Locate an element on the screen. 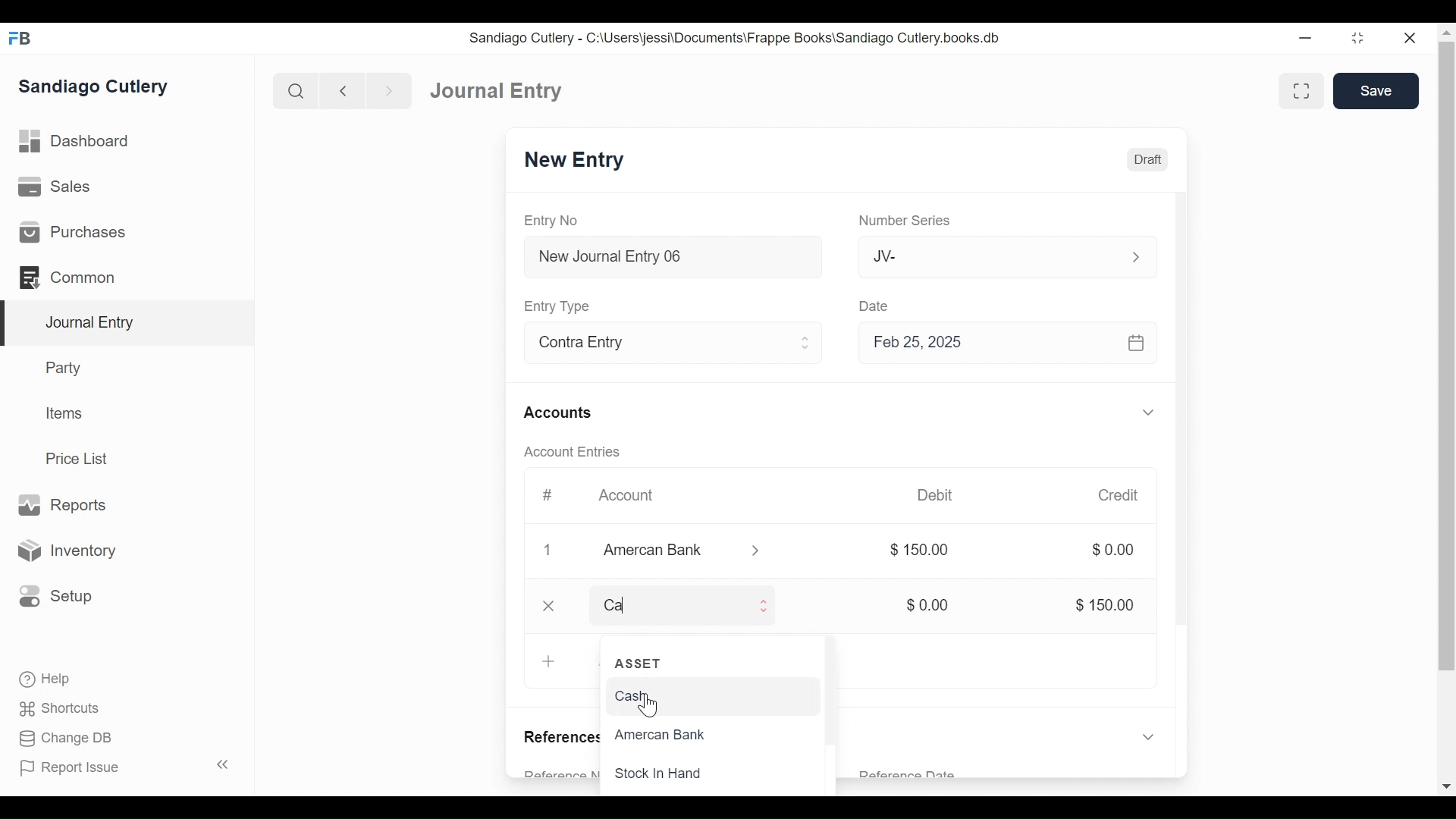 The image size is (1456, 819). Account Entries is located at coordinates (571, 451).